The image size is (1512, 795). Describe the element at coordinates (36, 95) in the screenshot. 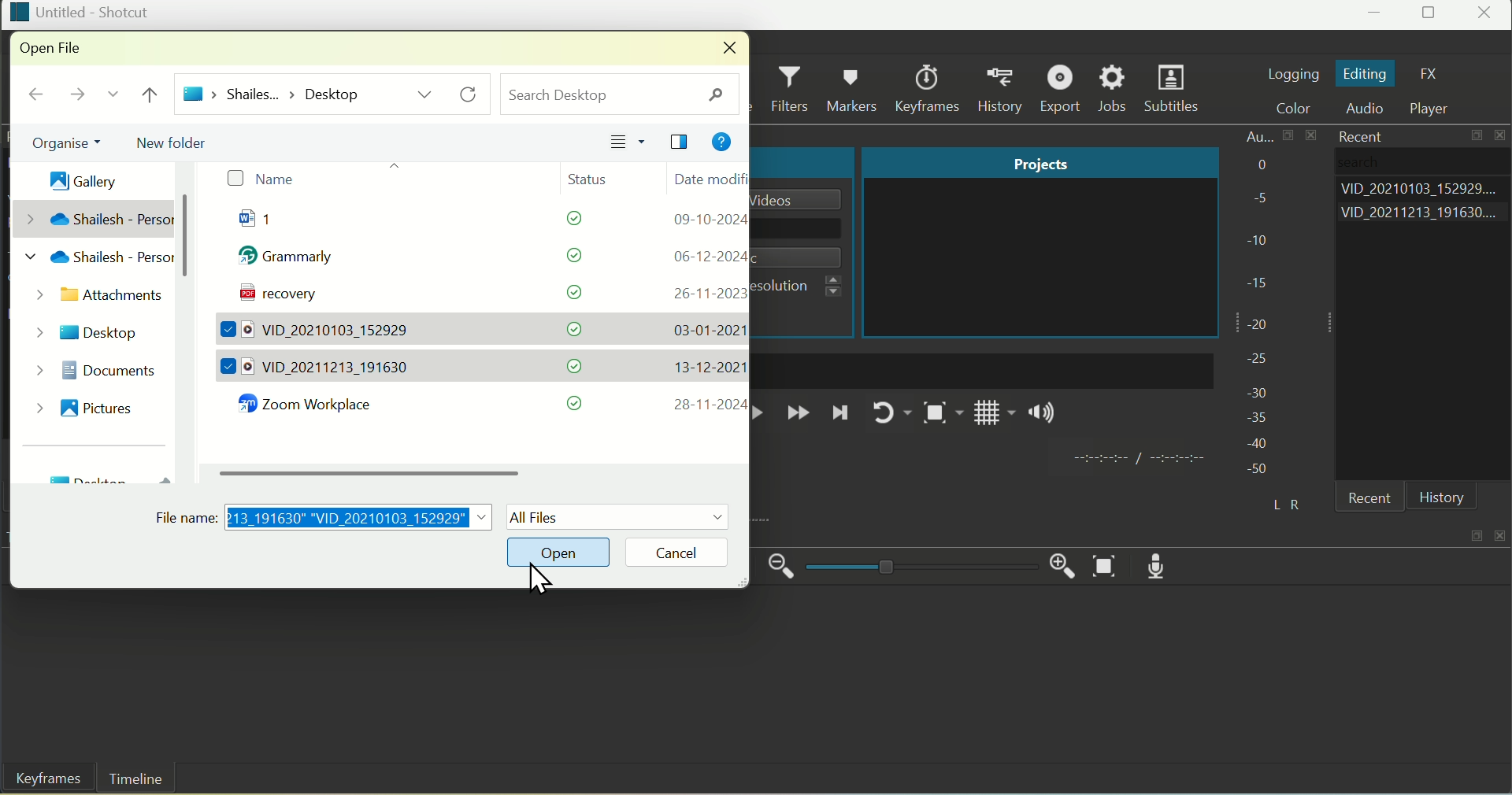

I see `back` at that location.